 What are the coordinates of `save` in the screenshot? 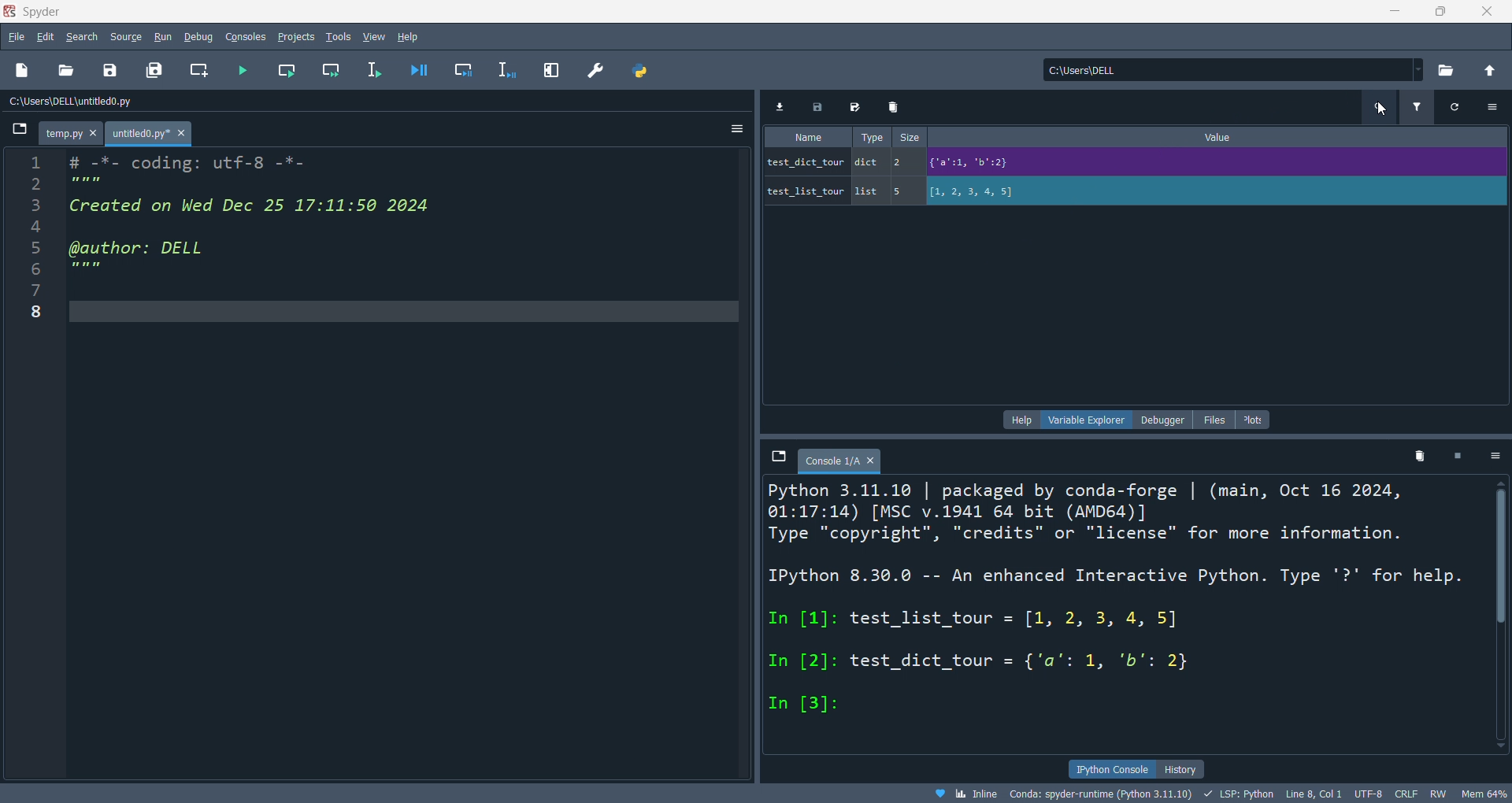 It's located at (817, 105).